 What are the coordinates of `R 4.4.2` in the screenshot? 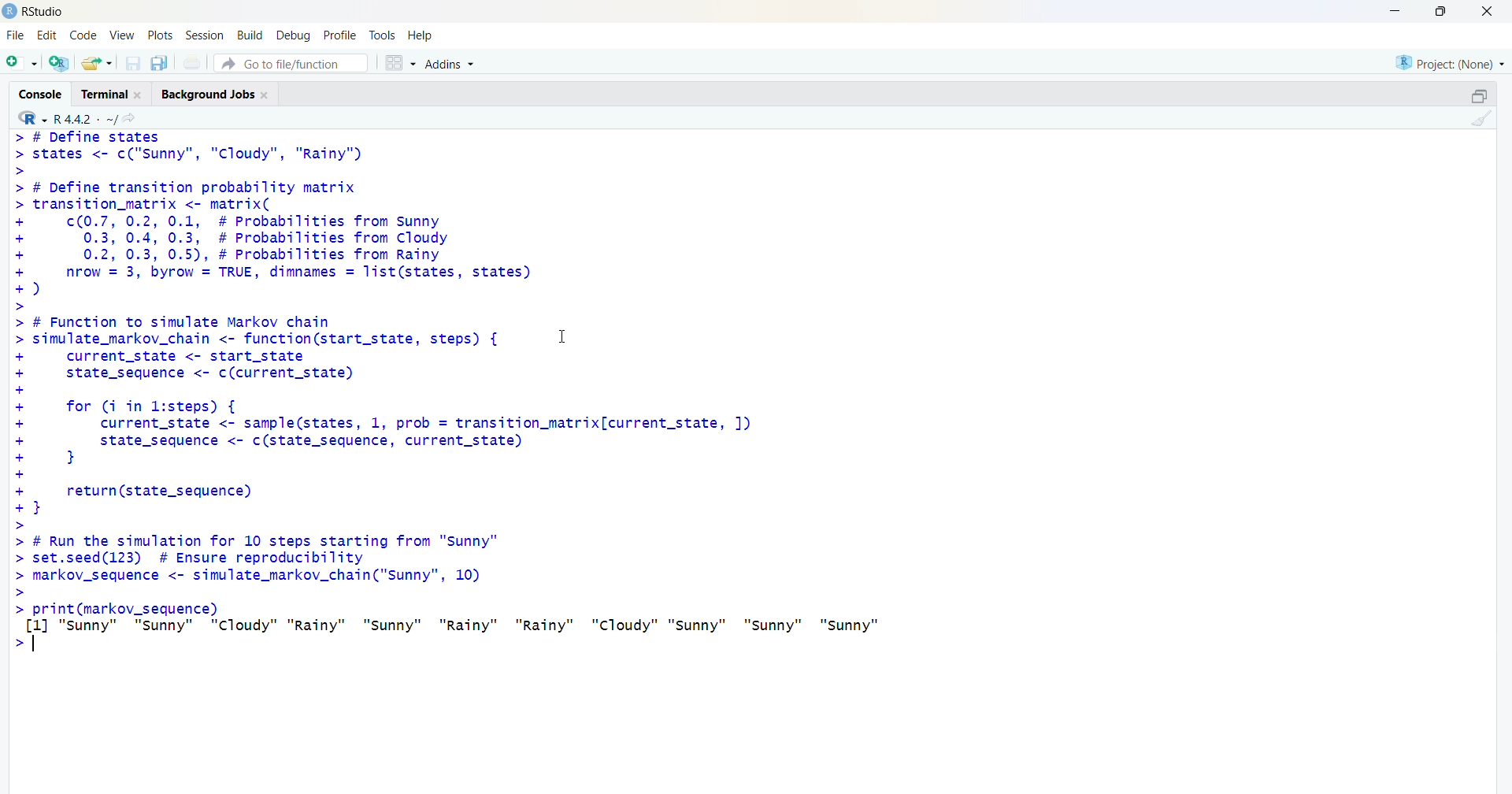 It's located at (68, 117).